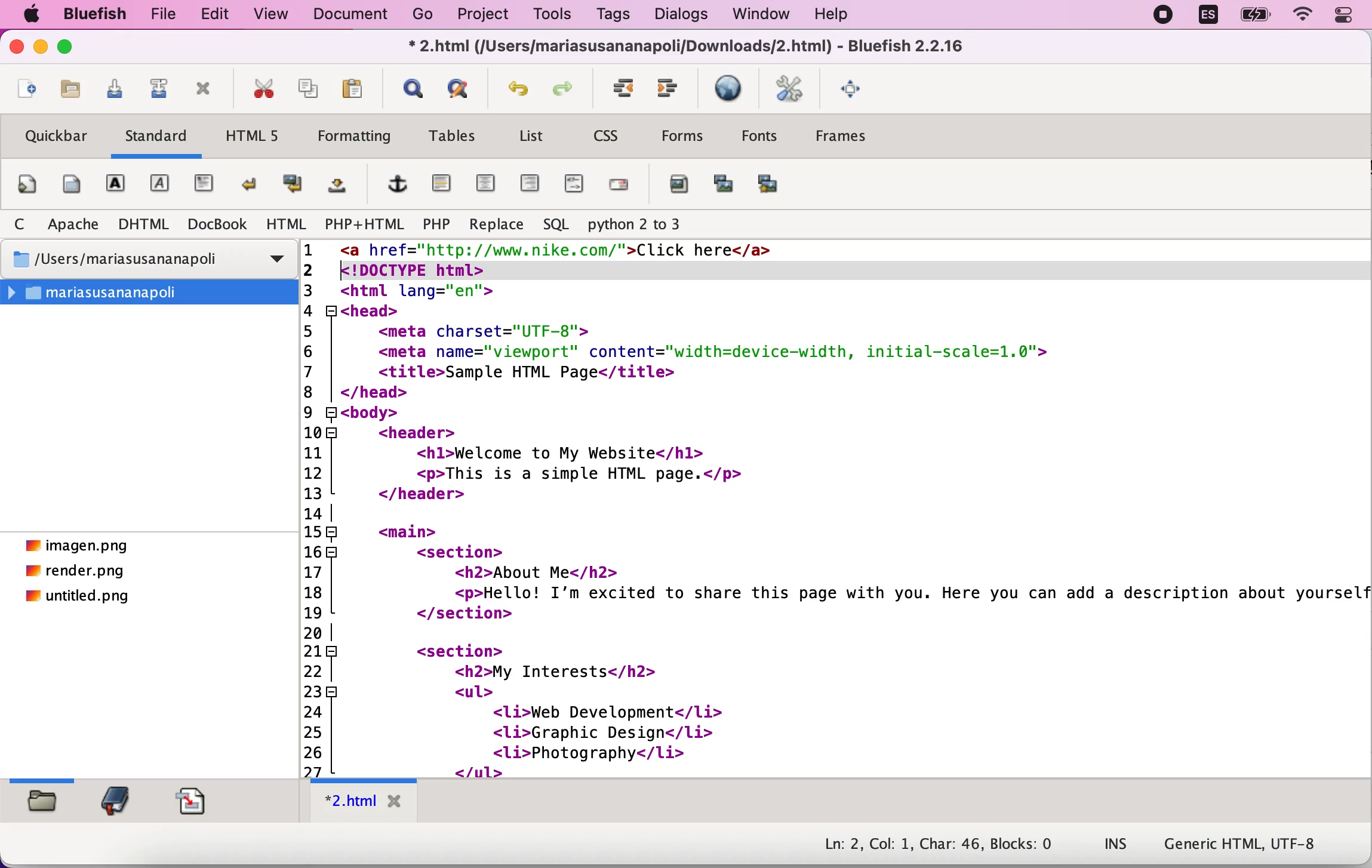 The image size is (1372, 868). Describe the element at coordinates (530, 187) in the screenshot. I see `right justify` at that location.